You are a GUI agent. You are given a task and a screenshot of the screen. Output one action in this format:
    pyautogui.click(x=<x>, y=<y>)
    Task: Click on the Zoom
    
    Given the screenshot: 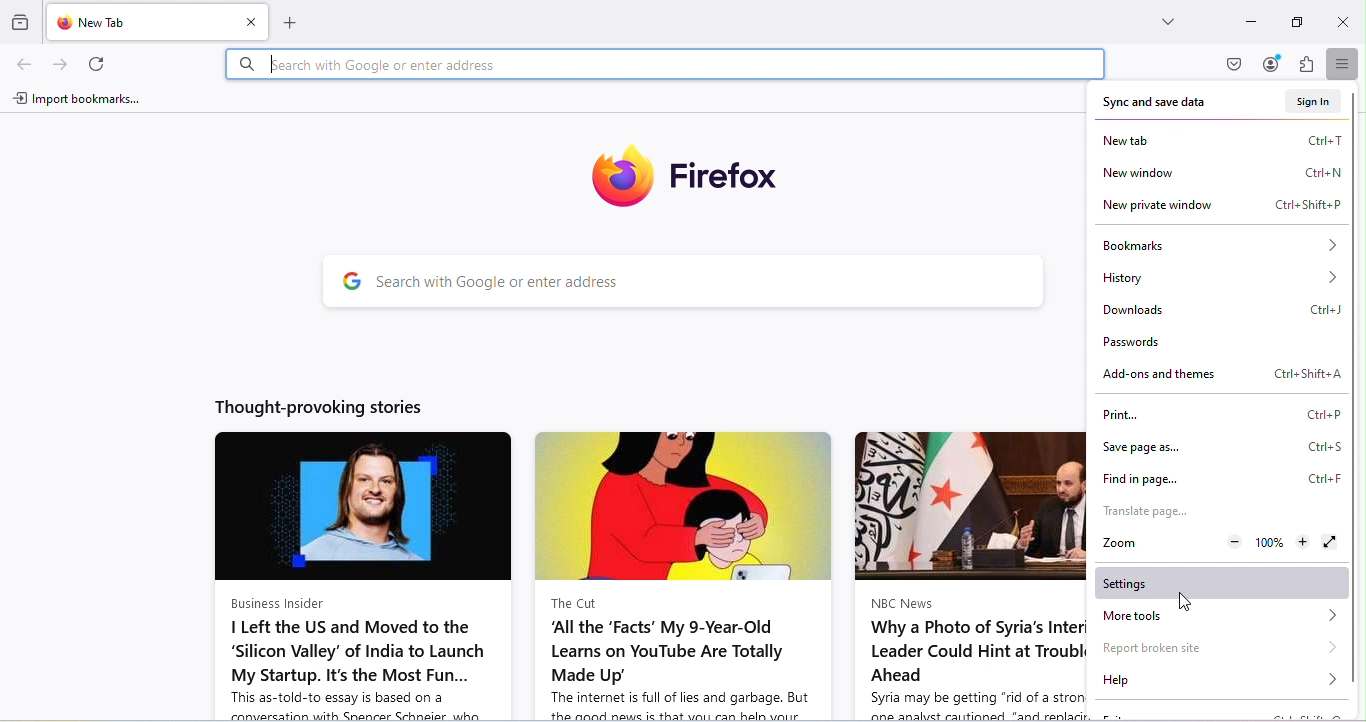 What is the action you would take?
    pyautogui.click(x=1125, y=542)
    